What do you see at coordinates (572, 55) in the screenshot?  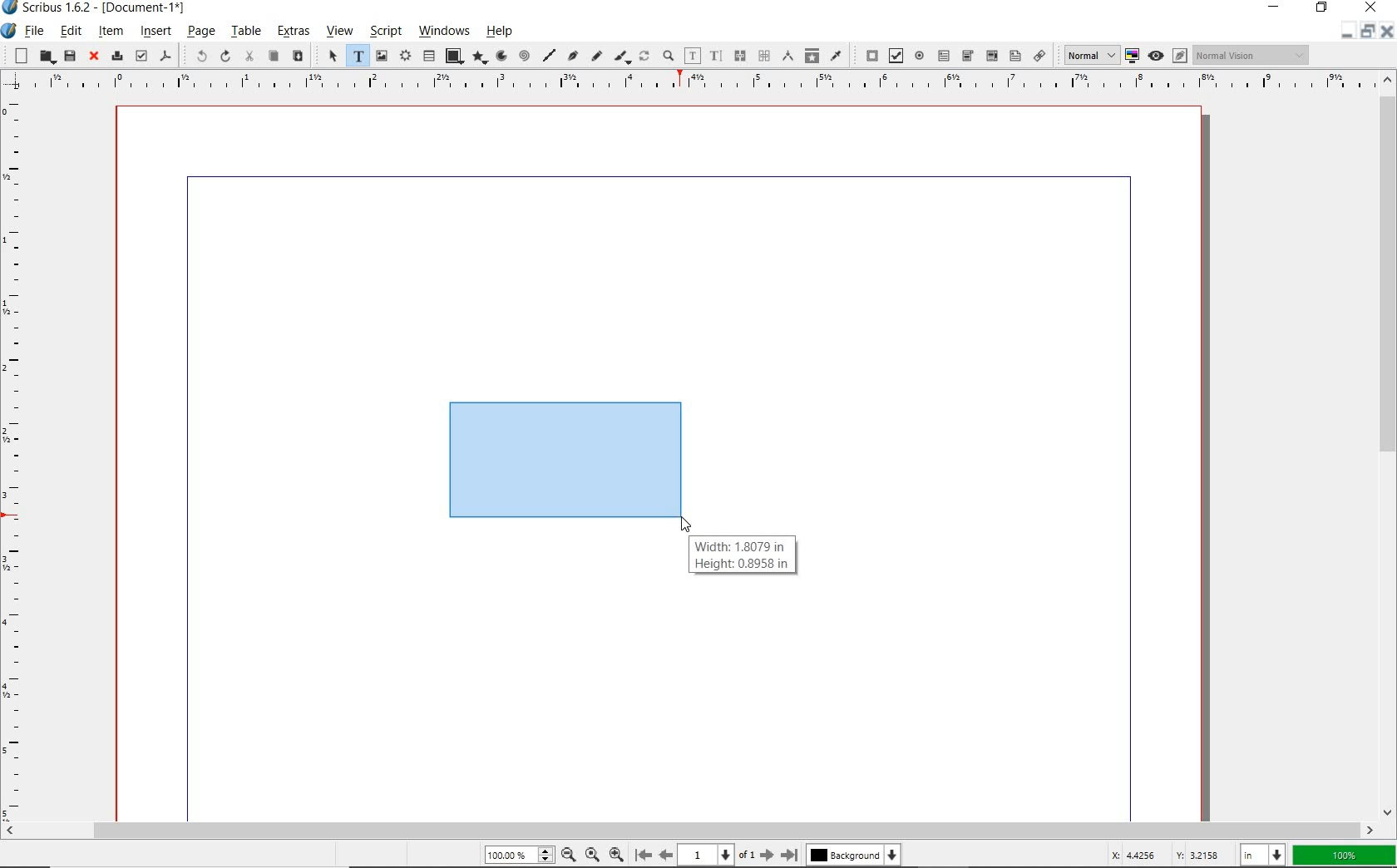 I see `Bezier curve` at bounding box center [572, 55].